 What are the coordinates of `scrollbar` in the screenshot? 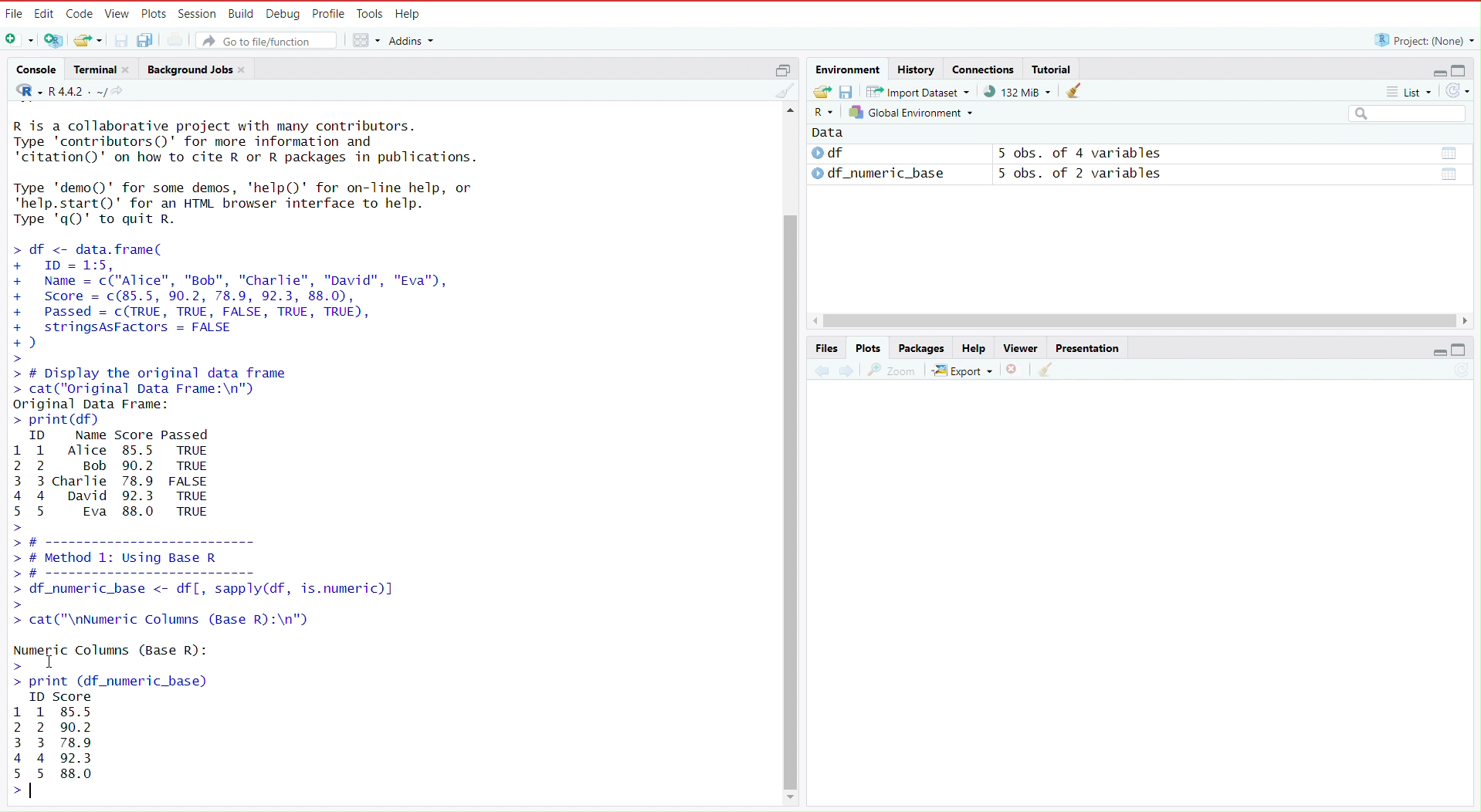 It's located at (790, 500).